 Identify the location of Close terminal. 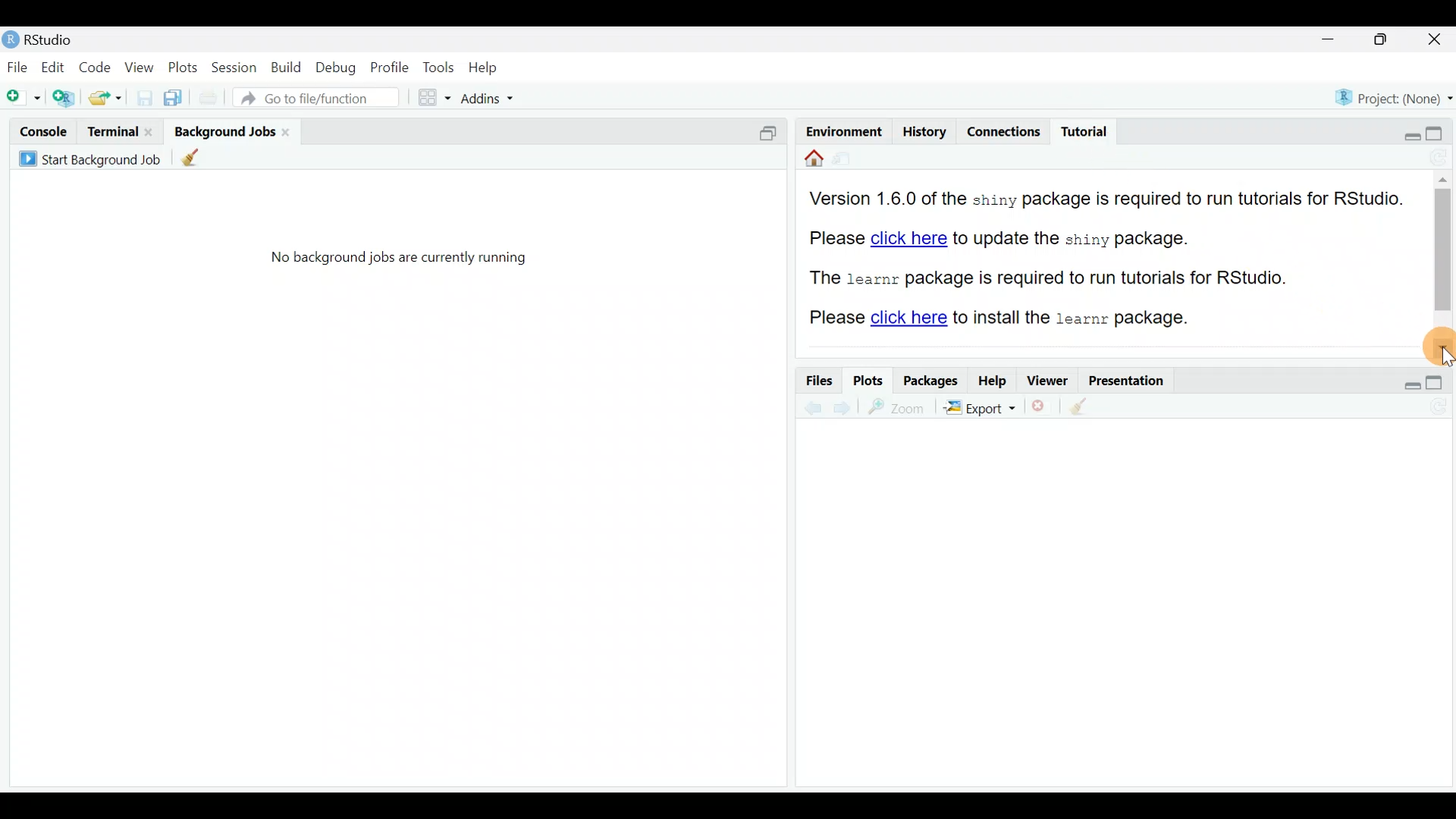
(149, 130).